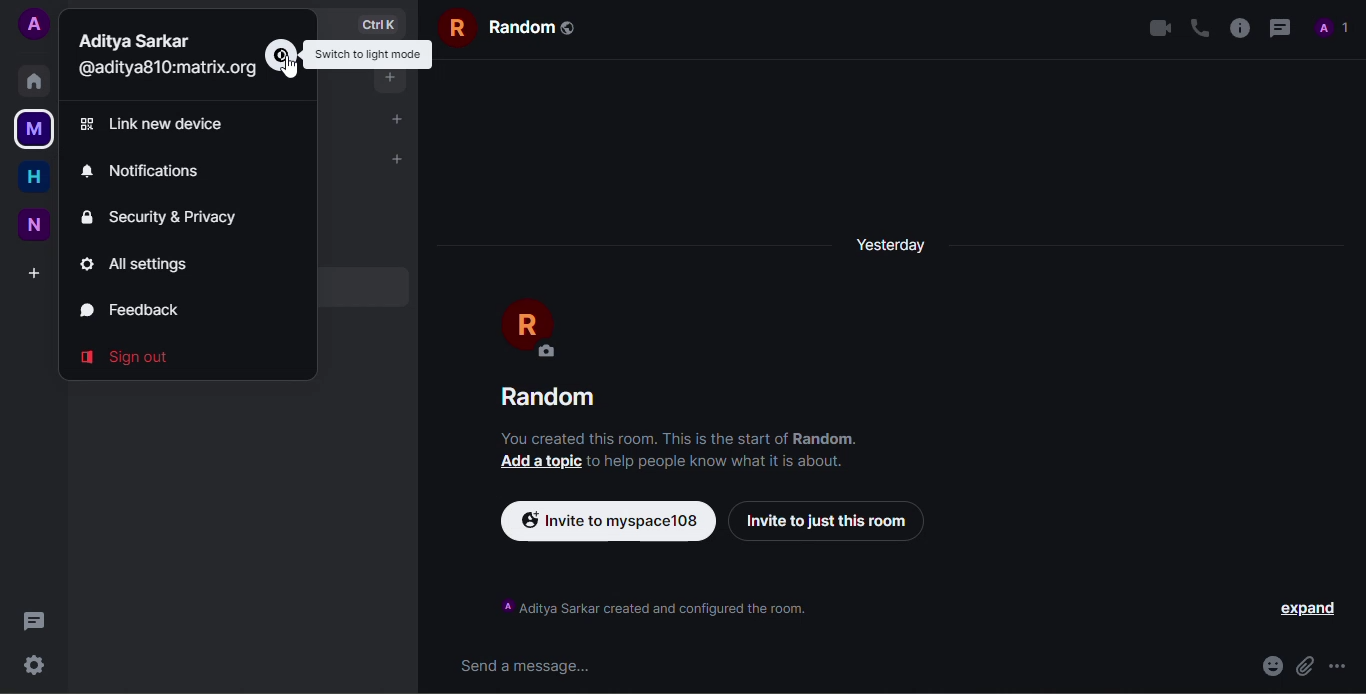 This screenshot has height=694, width=1366. I want to click on profile, so click(135, 40).